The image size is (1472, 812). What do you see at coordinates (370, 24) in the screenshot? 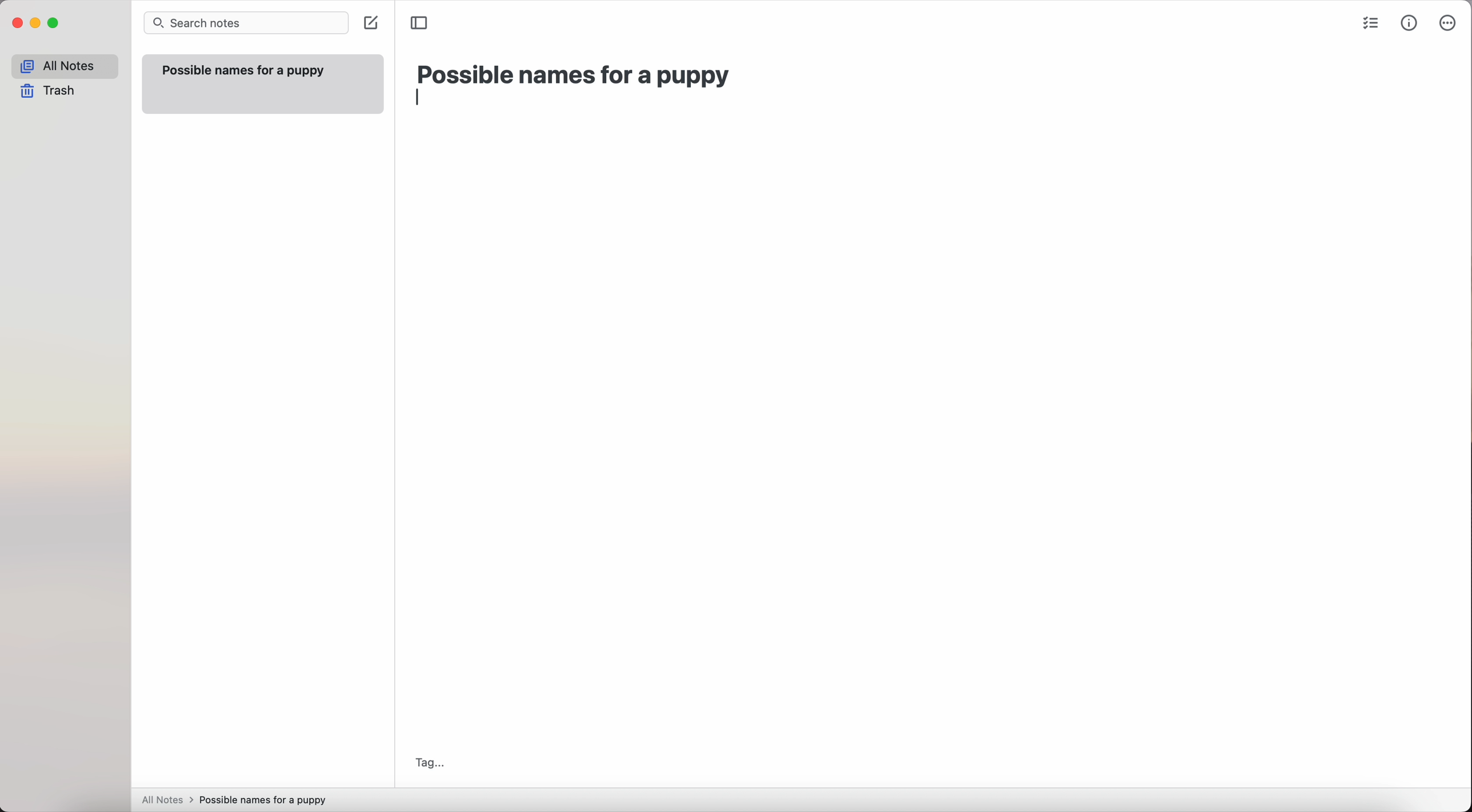
I see `create note` at bounding box center [370, 24].